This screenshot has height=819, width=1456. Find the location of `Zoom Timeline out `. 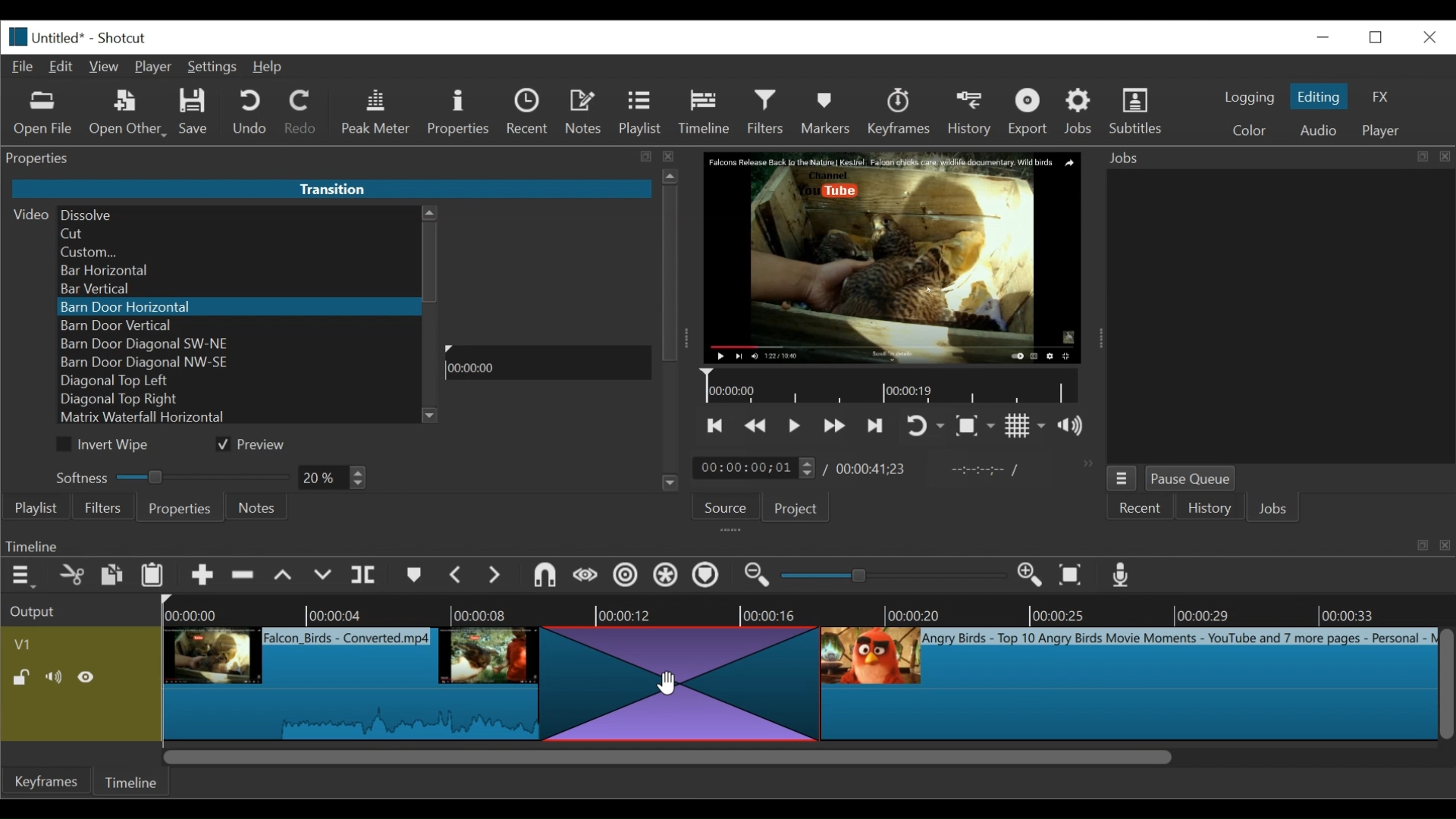

Zoom Timeline out  is located at coordinates (756, 576).